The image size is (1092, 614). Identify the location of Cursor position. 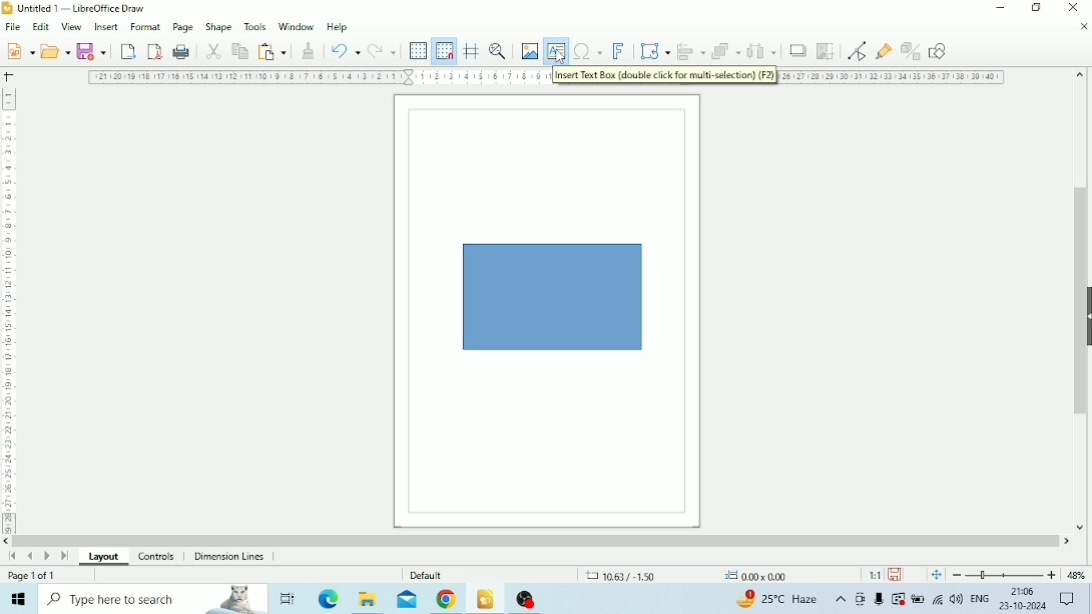
(687, 575).